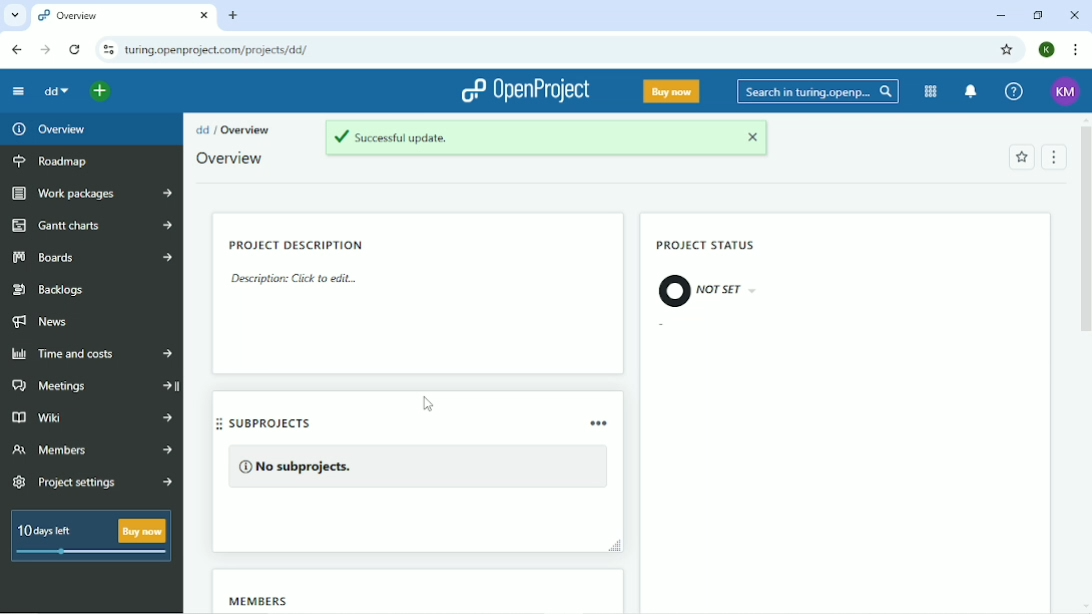 This screenshot has width=1092, height=614. I want to click on Overview, so click(49, 128).